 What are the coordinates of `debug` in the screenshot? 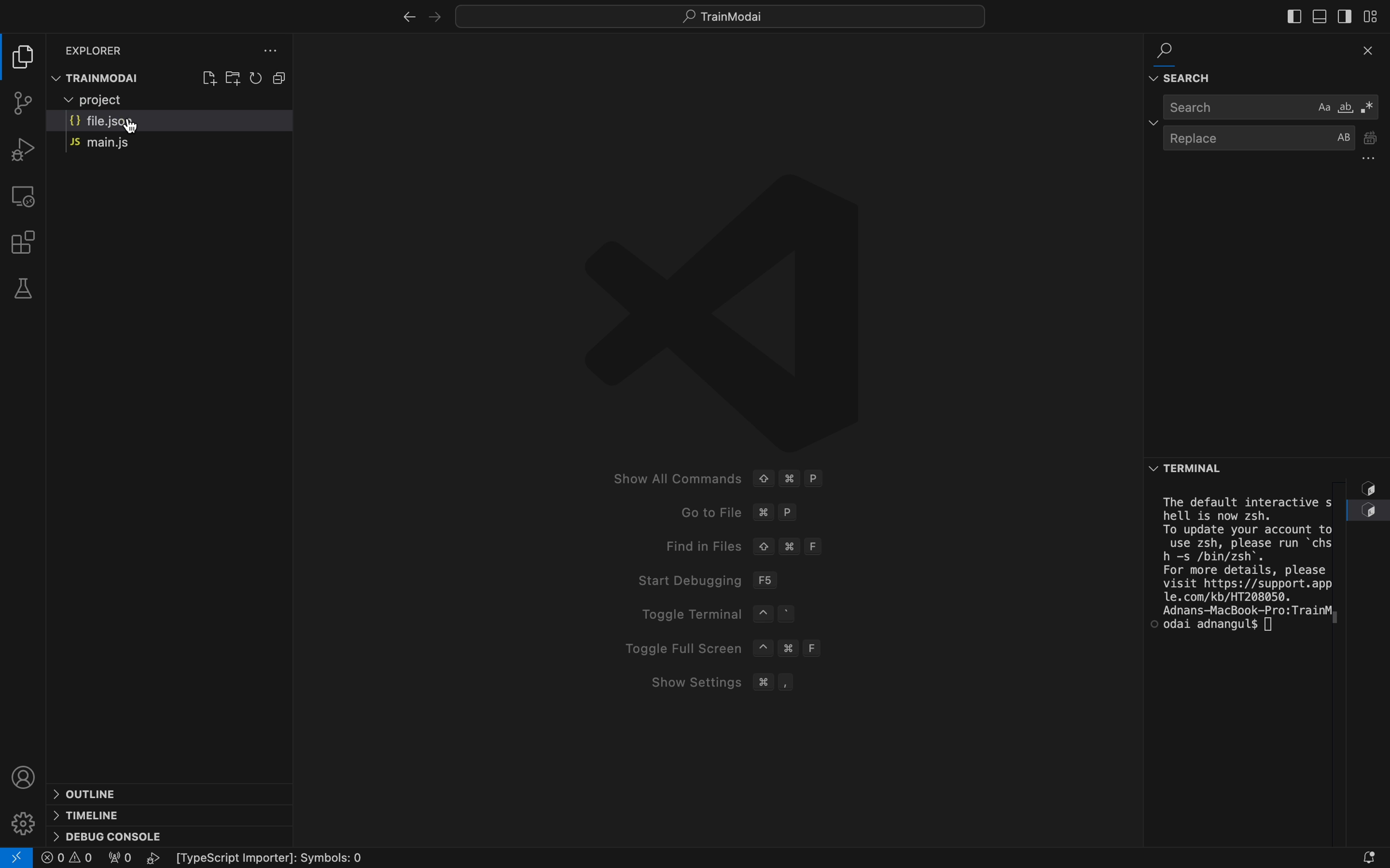 It's located at (118, 838).